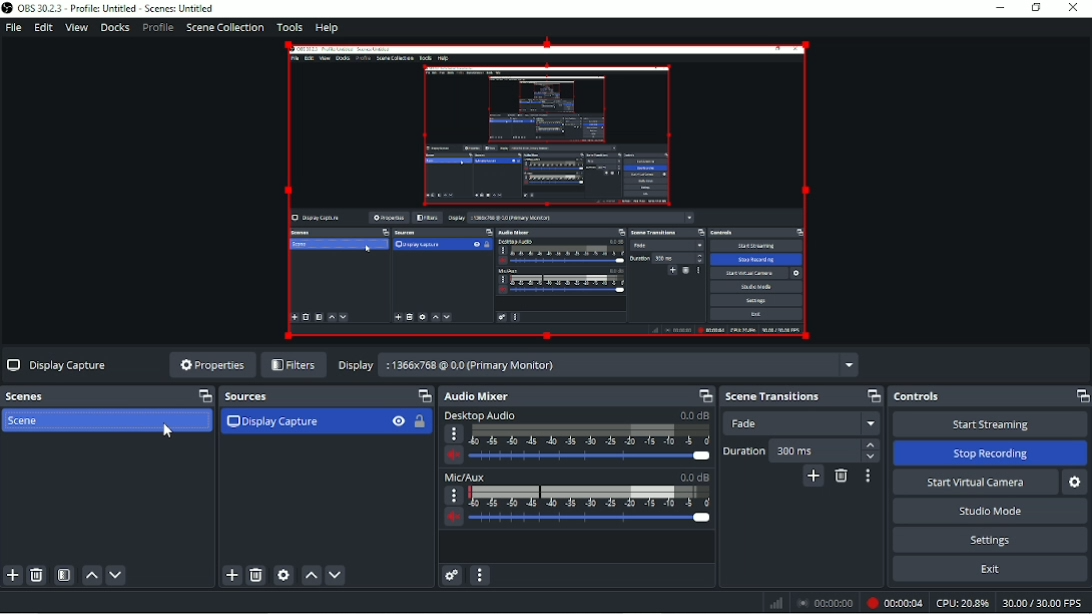 The image size is (1092, 614). What do you see at coordinates (1045, 604) in the screenshot?
I see `30.00/30.00 FPS` at bounding box center [1045, 604].